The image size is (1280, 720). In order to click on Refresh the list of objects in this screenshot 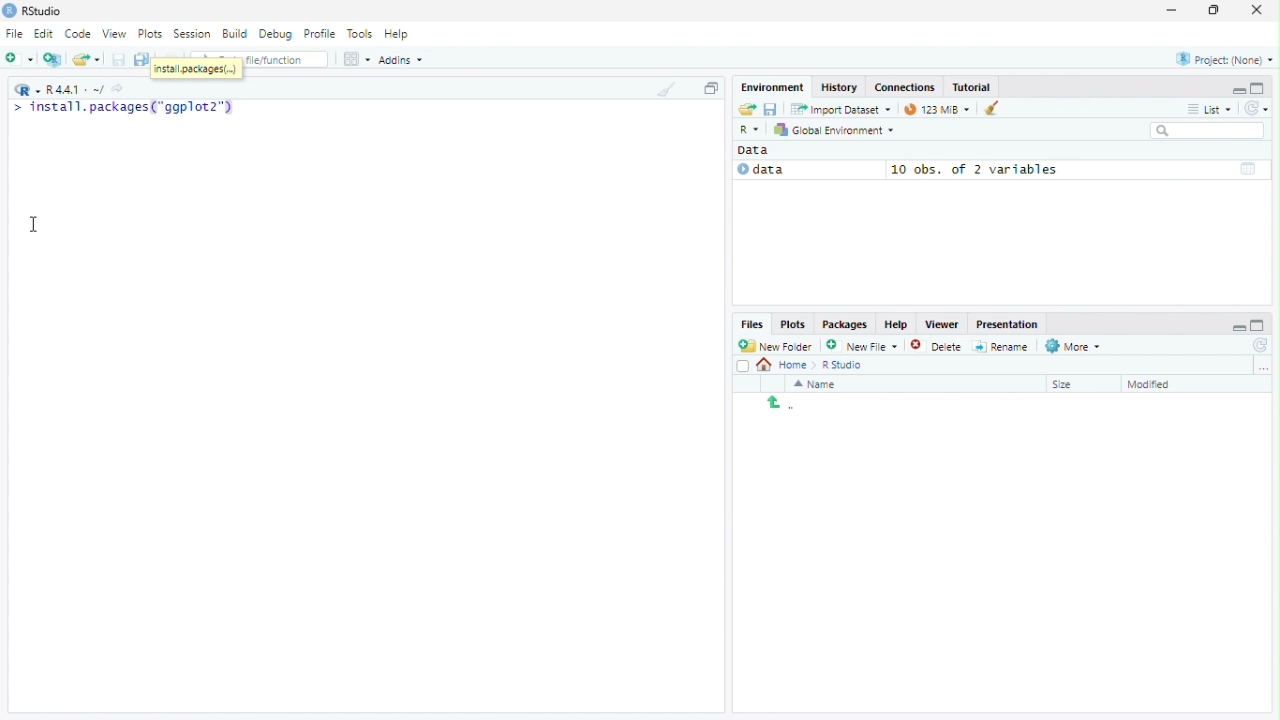, I will do `click(1256, 107)`.